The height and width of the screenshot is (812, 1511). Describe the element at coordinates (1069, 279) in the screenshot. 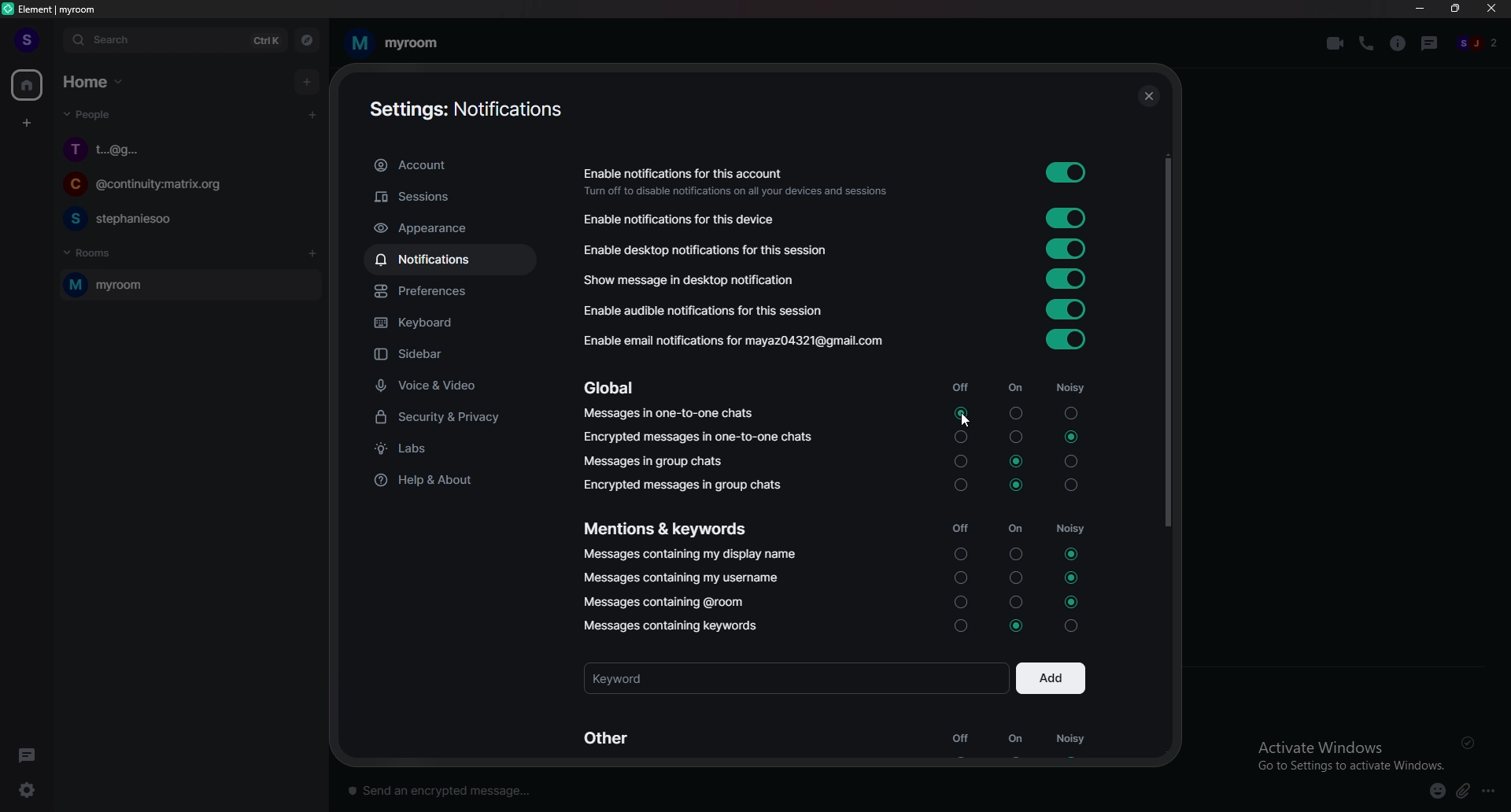

I see `toggle` at that location.